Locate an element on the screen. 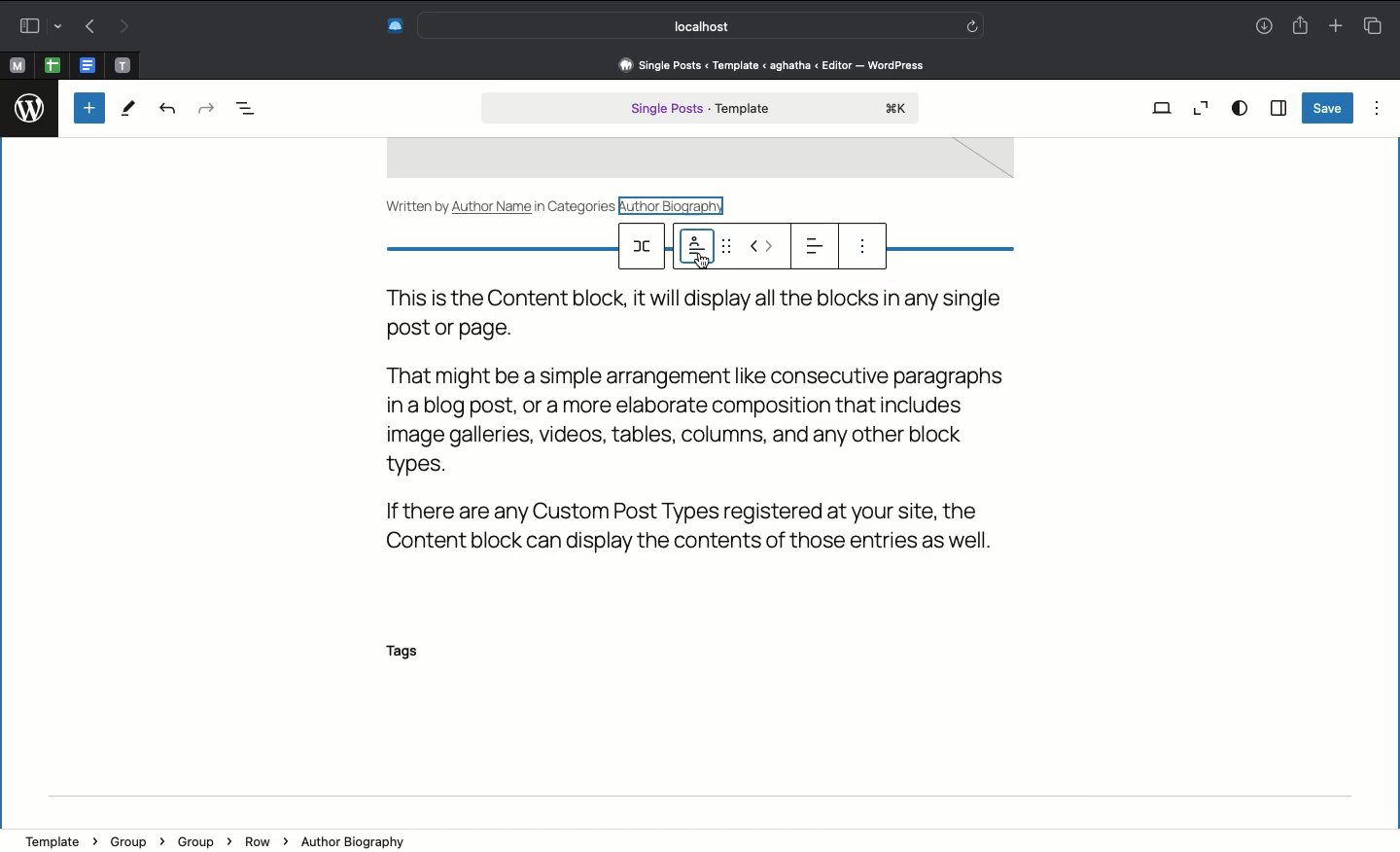 The height and width of the screenshot is (852, 1400). Document overview is located at coordinates (256, 109).